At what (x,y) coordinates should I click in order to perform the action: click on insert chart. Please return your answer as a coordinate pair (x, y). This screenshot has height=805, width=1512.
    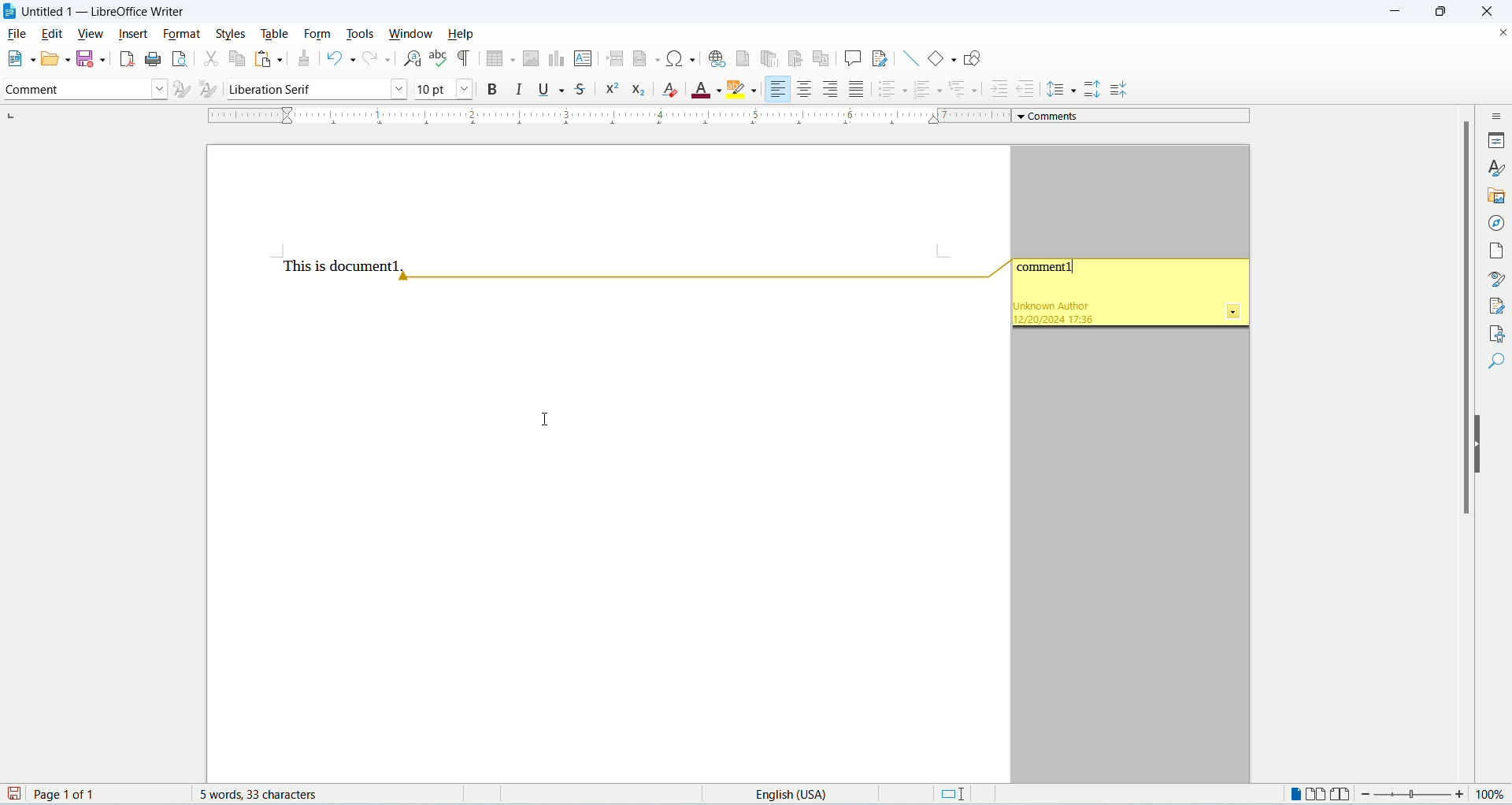
    Looking at the image, I should click on (556, 58).